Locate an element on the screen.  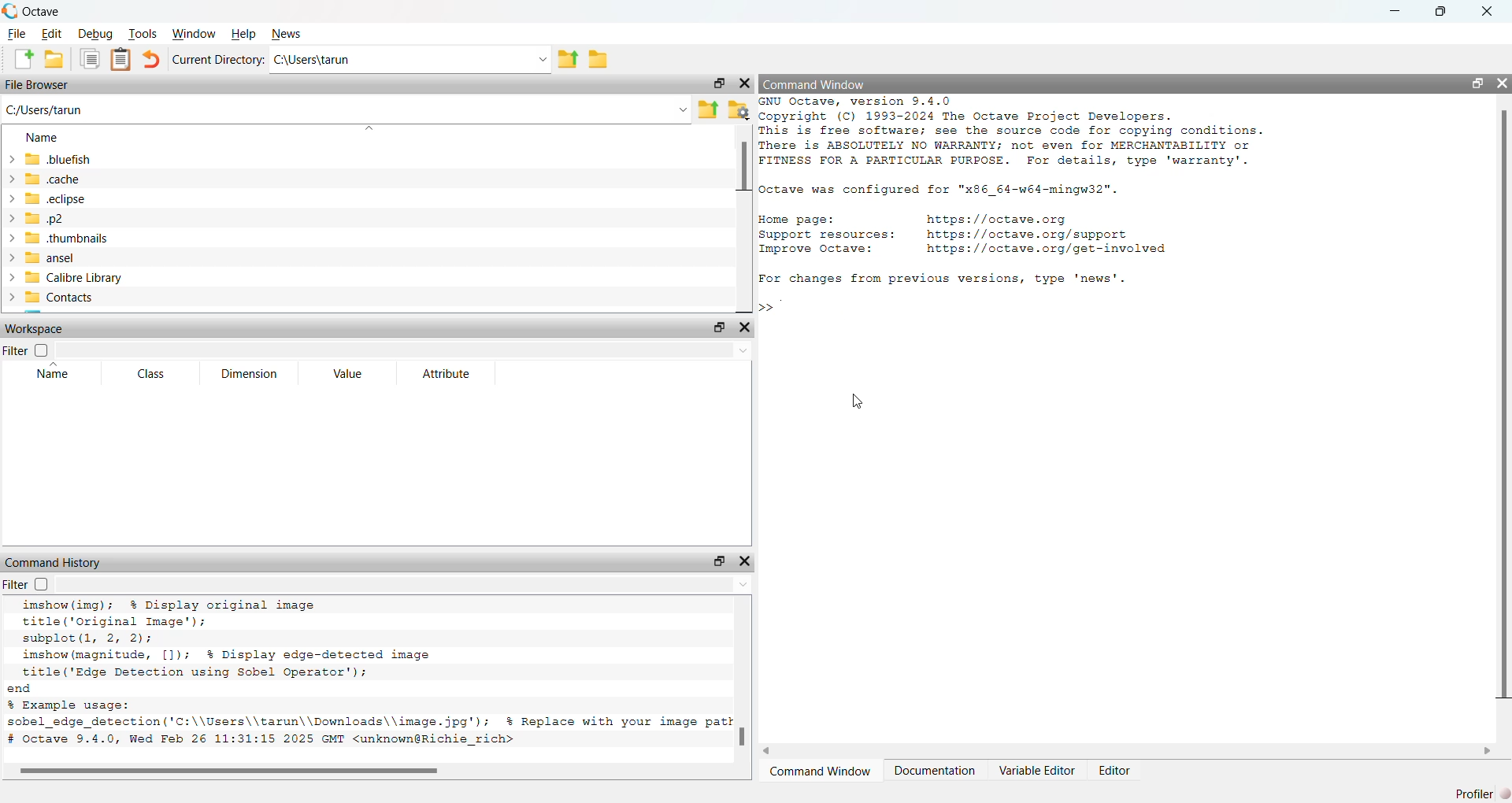
C:/Users/tarun is located at coordinates (347, 112).